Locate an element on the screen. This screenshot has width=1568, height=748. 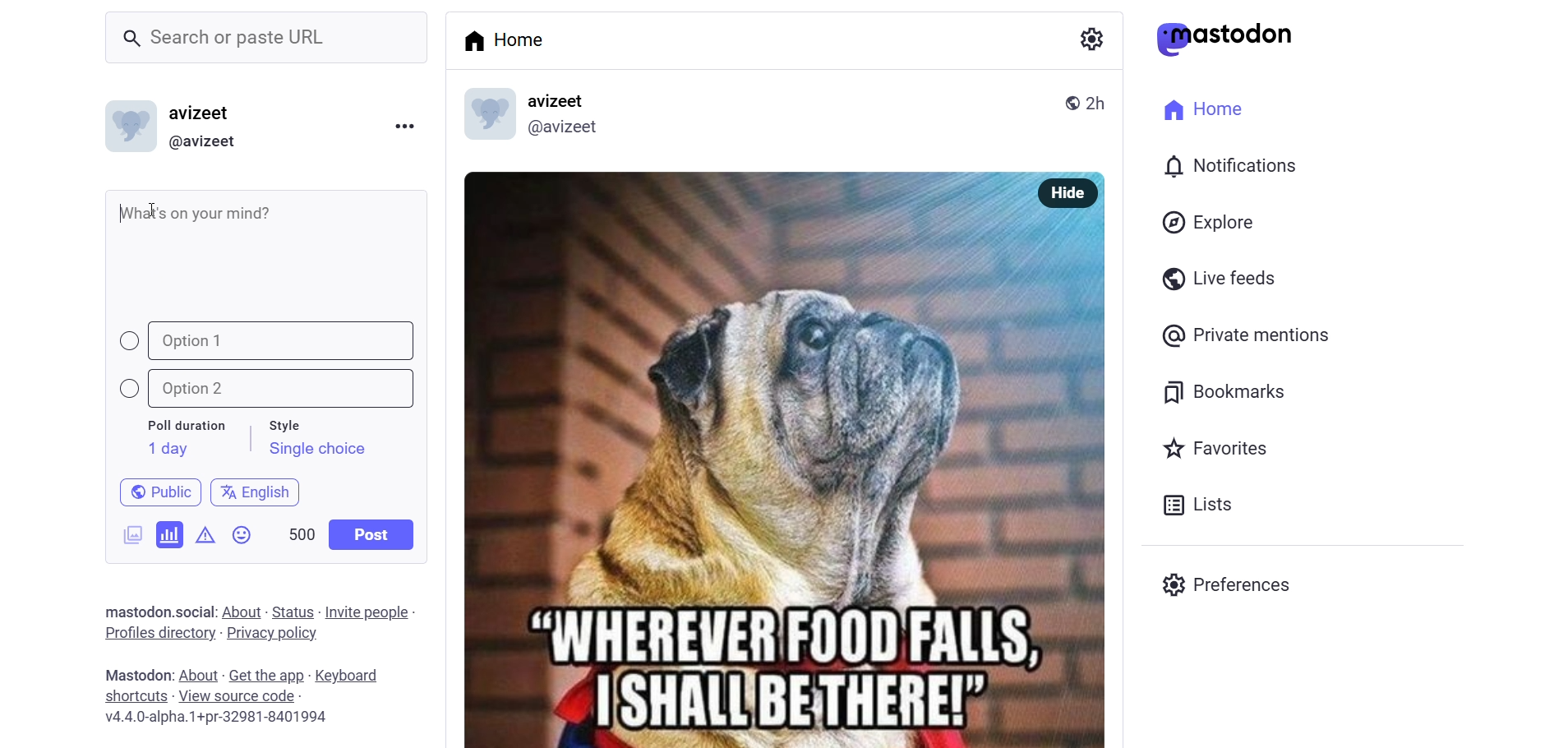
notification is located at coordinates (1228, 168).